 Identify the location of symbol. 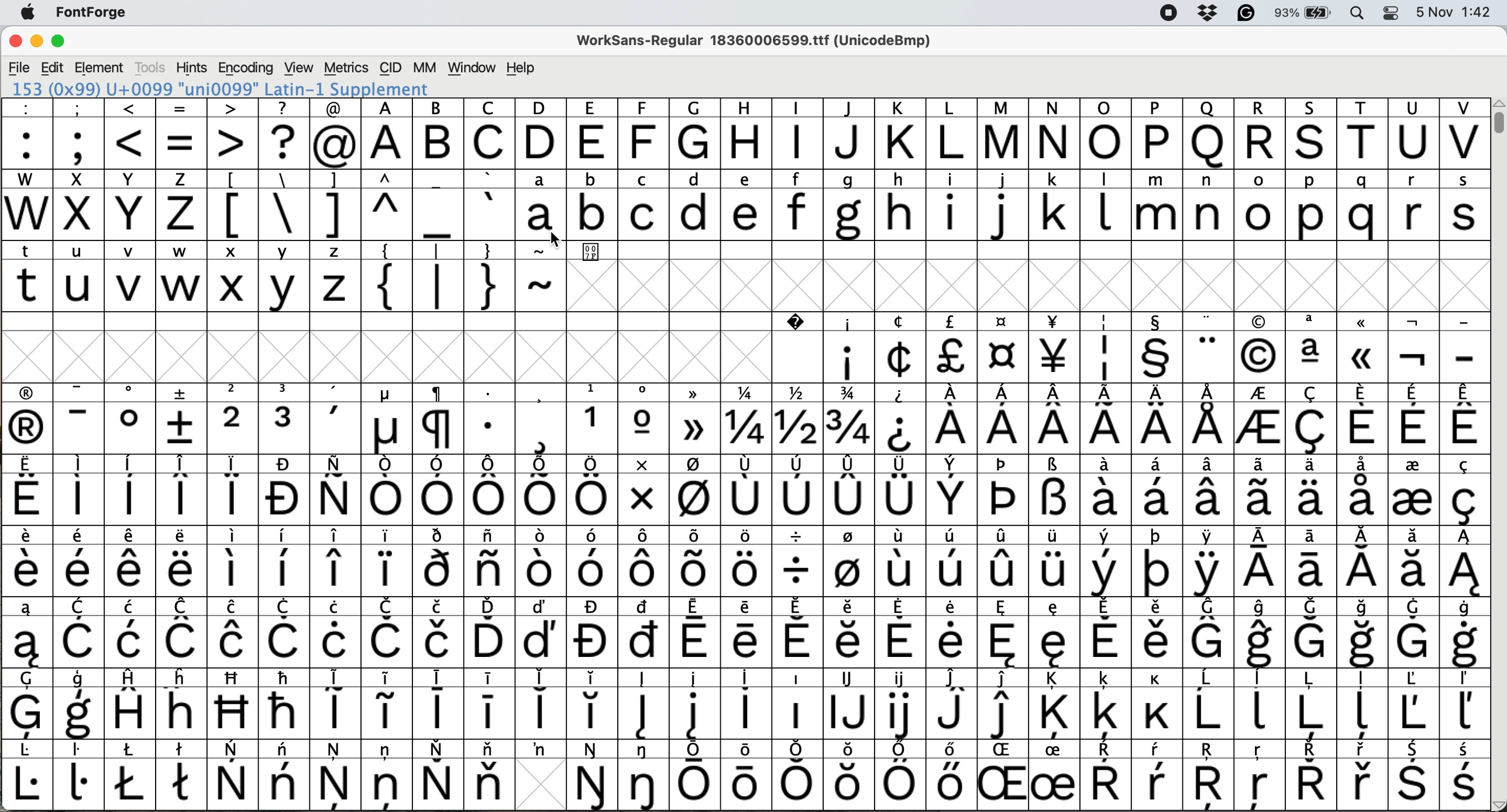
(1106, 704).